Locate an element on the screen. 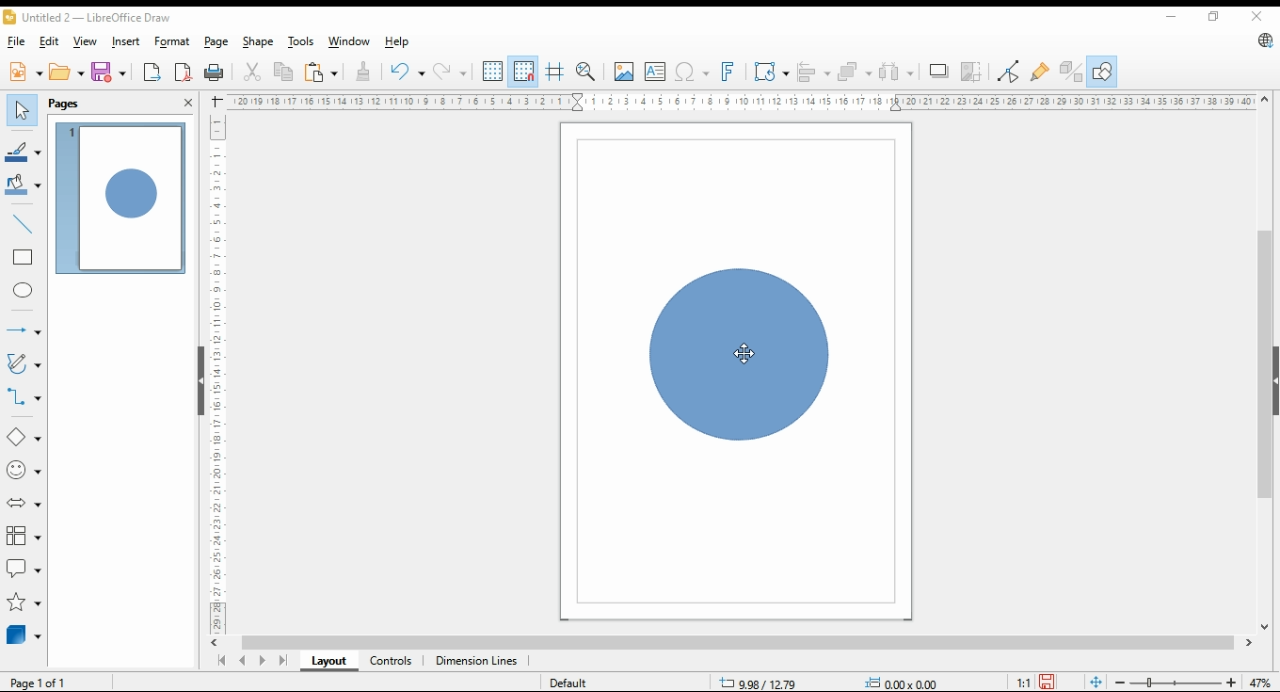 The image size is (1280, 692). clone formatting is located at coordinates (365, 72).